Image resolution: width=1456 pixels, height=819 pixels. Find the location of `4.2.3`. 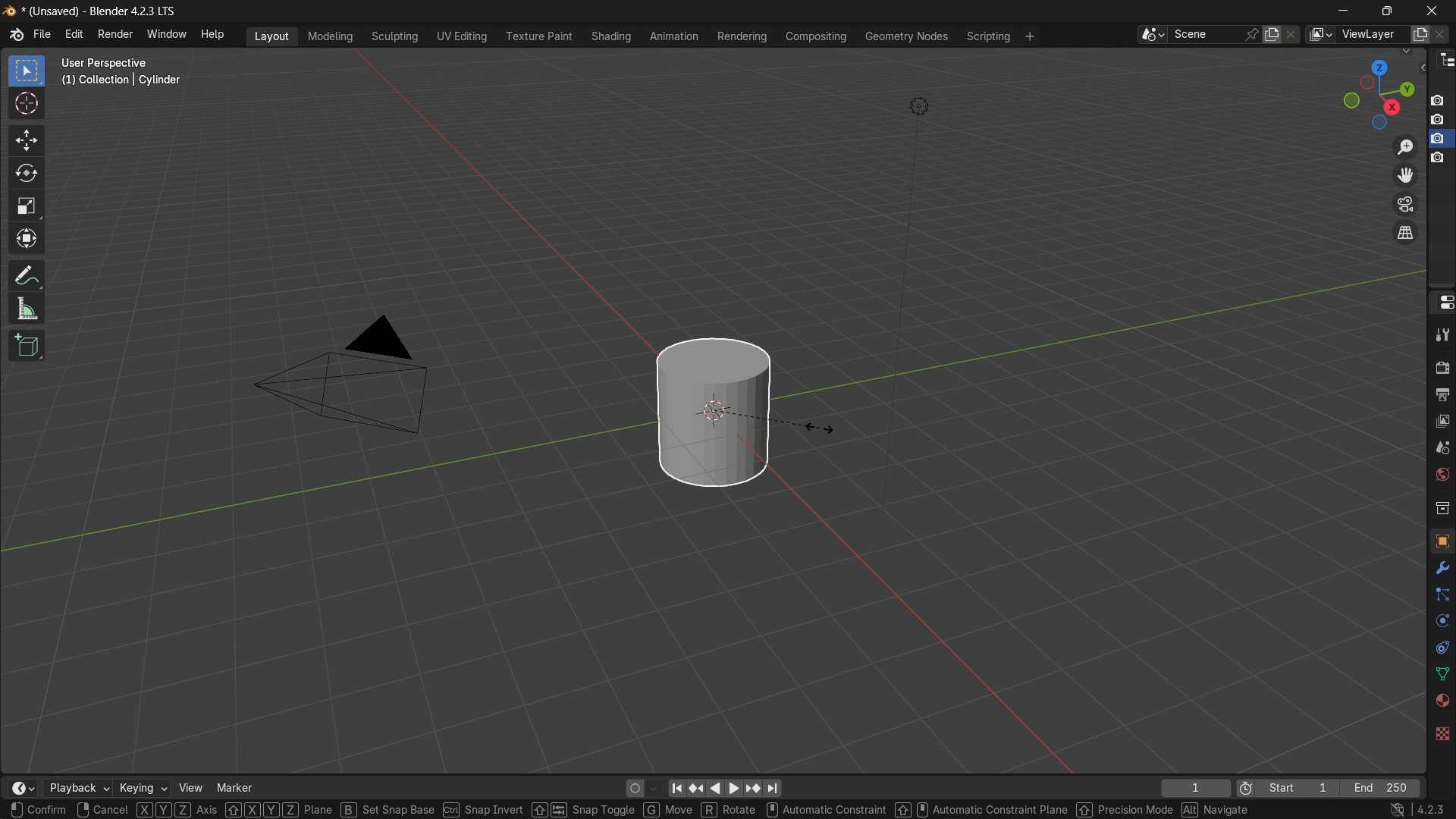

4.2.3 is located at coordinates (1430, 810).